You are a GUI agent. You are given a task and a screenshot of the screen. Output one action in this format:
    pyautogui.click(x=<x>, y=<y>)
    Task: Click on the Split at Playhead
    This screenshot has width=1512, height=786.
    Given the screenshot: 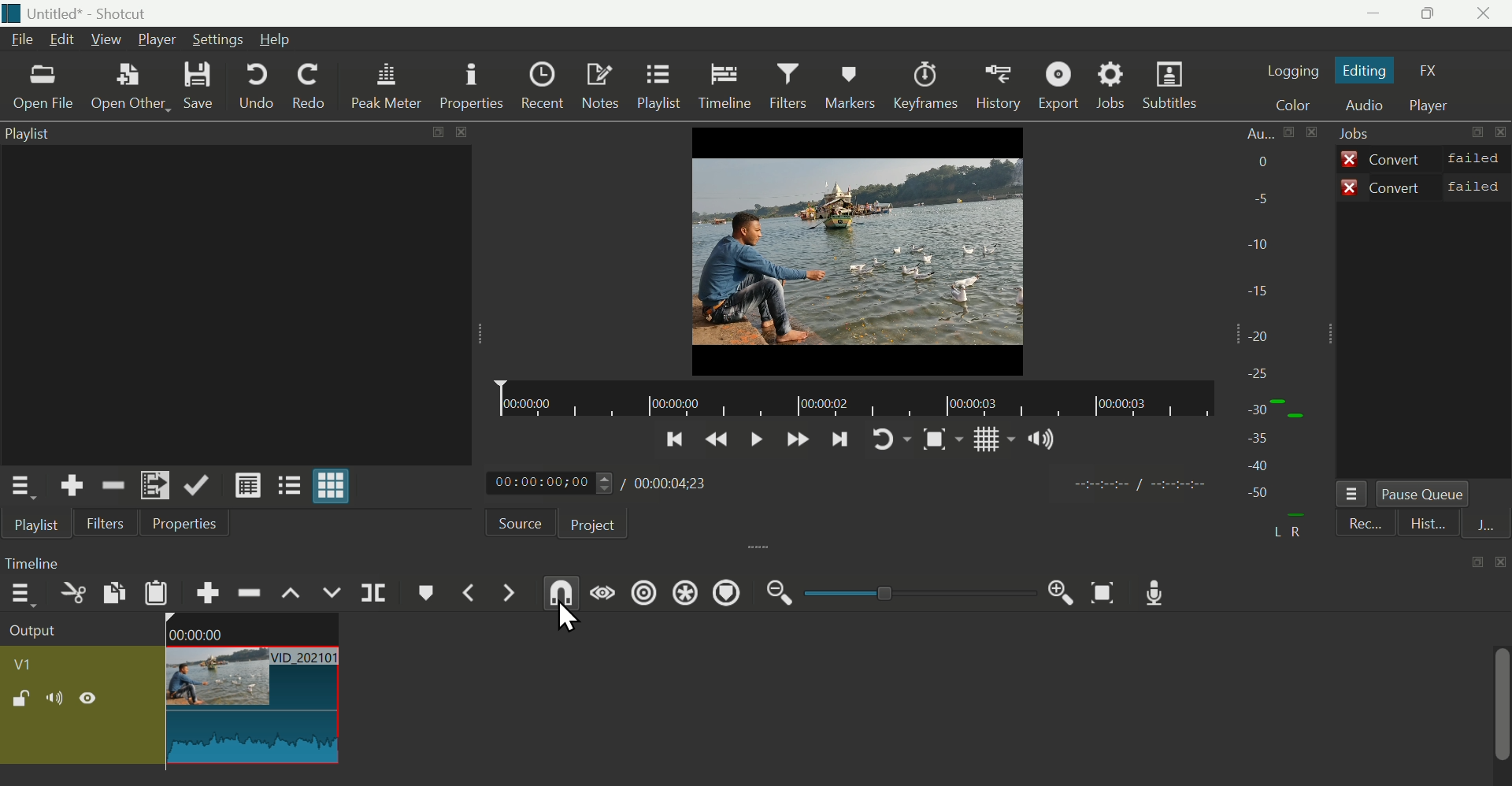 What is the action you would take?
    pyautogui.click(x=372, y=595)
    